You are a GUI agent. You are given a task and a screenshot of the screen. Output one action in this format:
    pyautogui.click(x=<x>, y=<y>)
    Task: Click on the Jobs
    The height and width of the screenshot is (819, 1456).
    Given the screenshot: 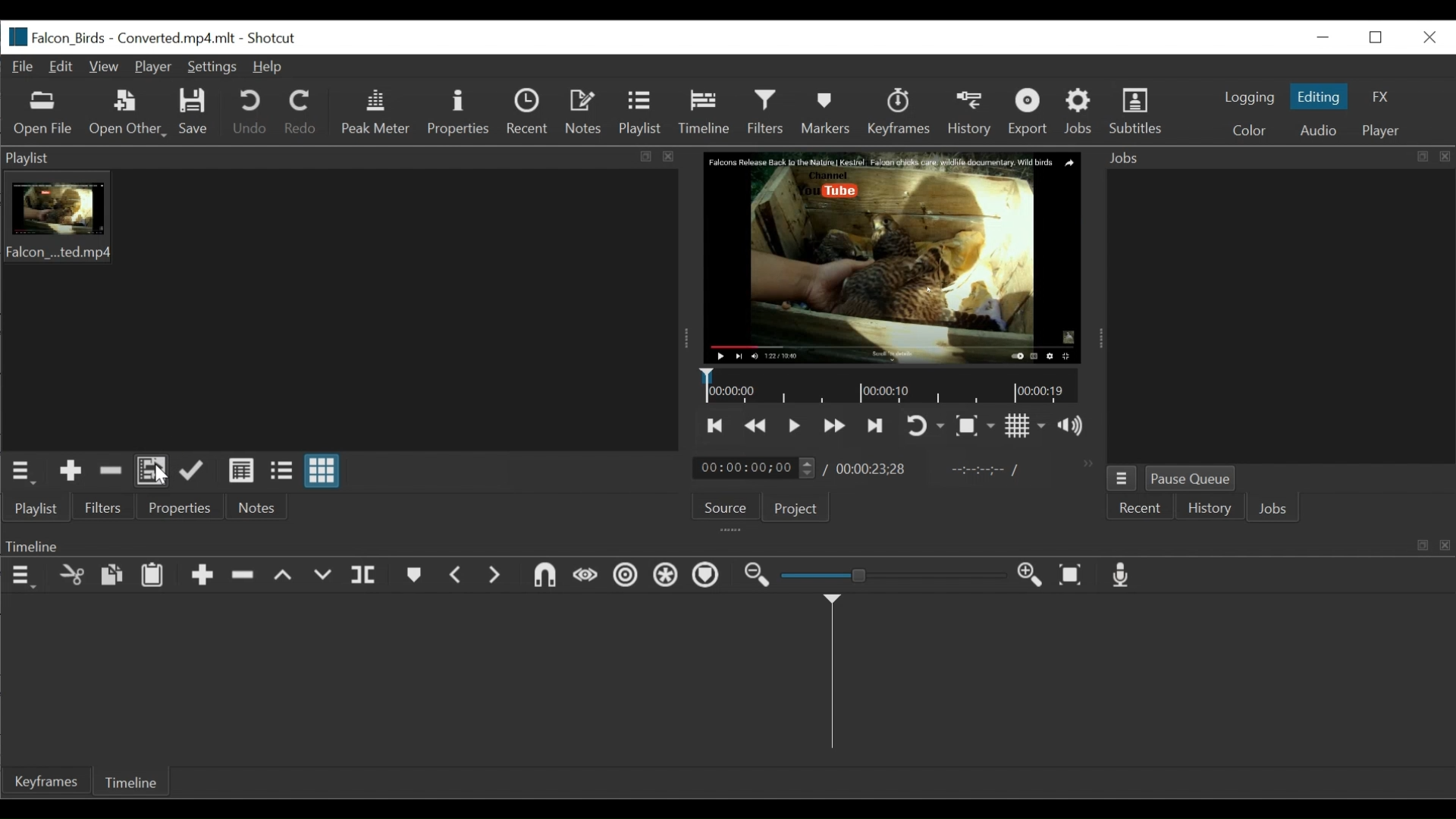 What is the action you would take?
    pyautogui.click(x=1277, y=510)
    